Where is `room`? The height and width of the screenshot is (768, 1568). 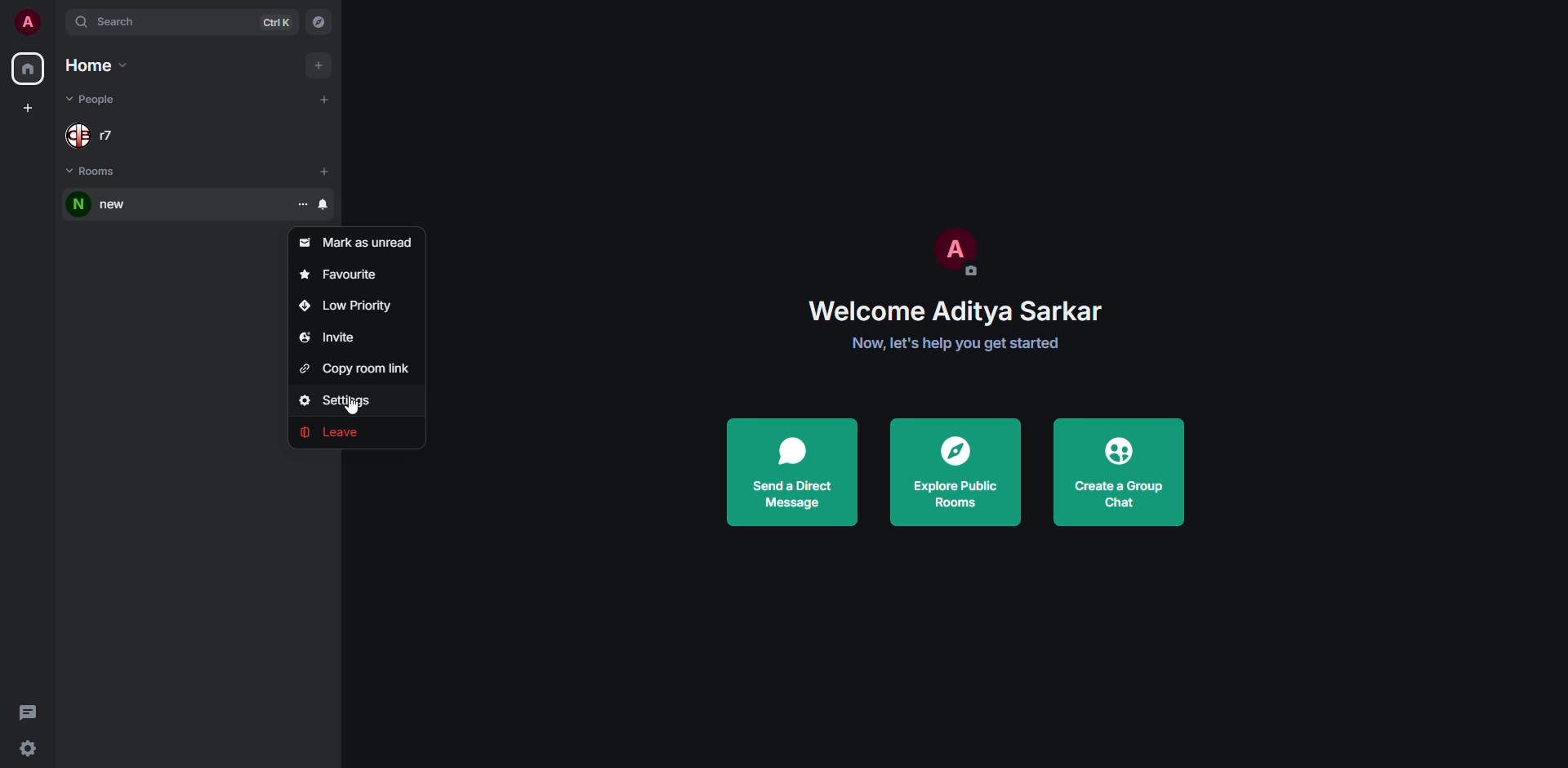
room is located at coordinates (106, 205).